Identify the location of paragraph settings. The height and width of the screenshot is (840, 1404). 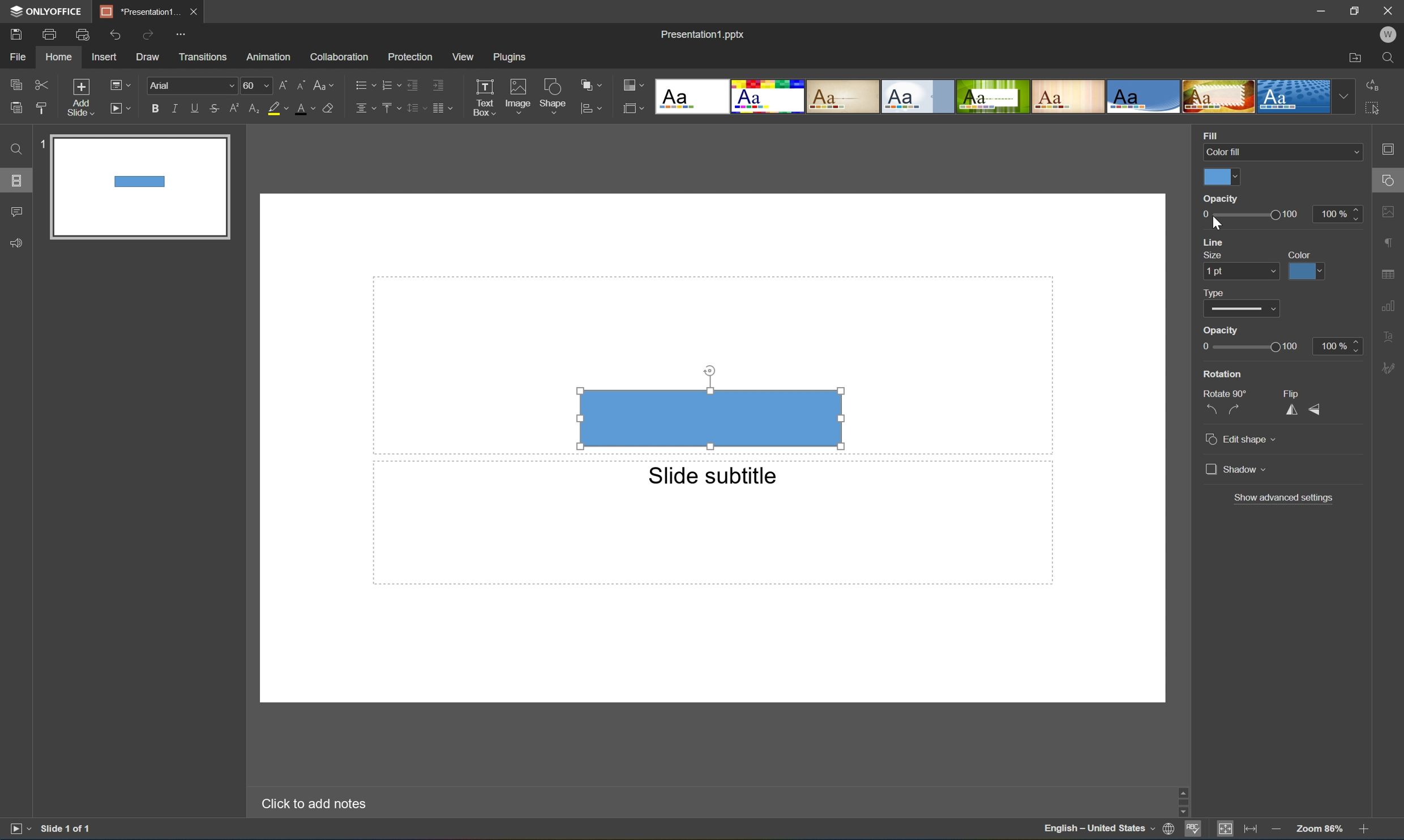
(1389, 242).